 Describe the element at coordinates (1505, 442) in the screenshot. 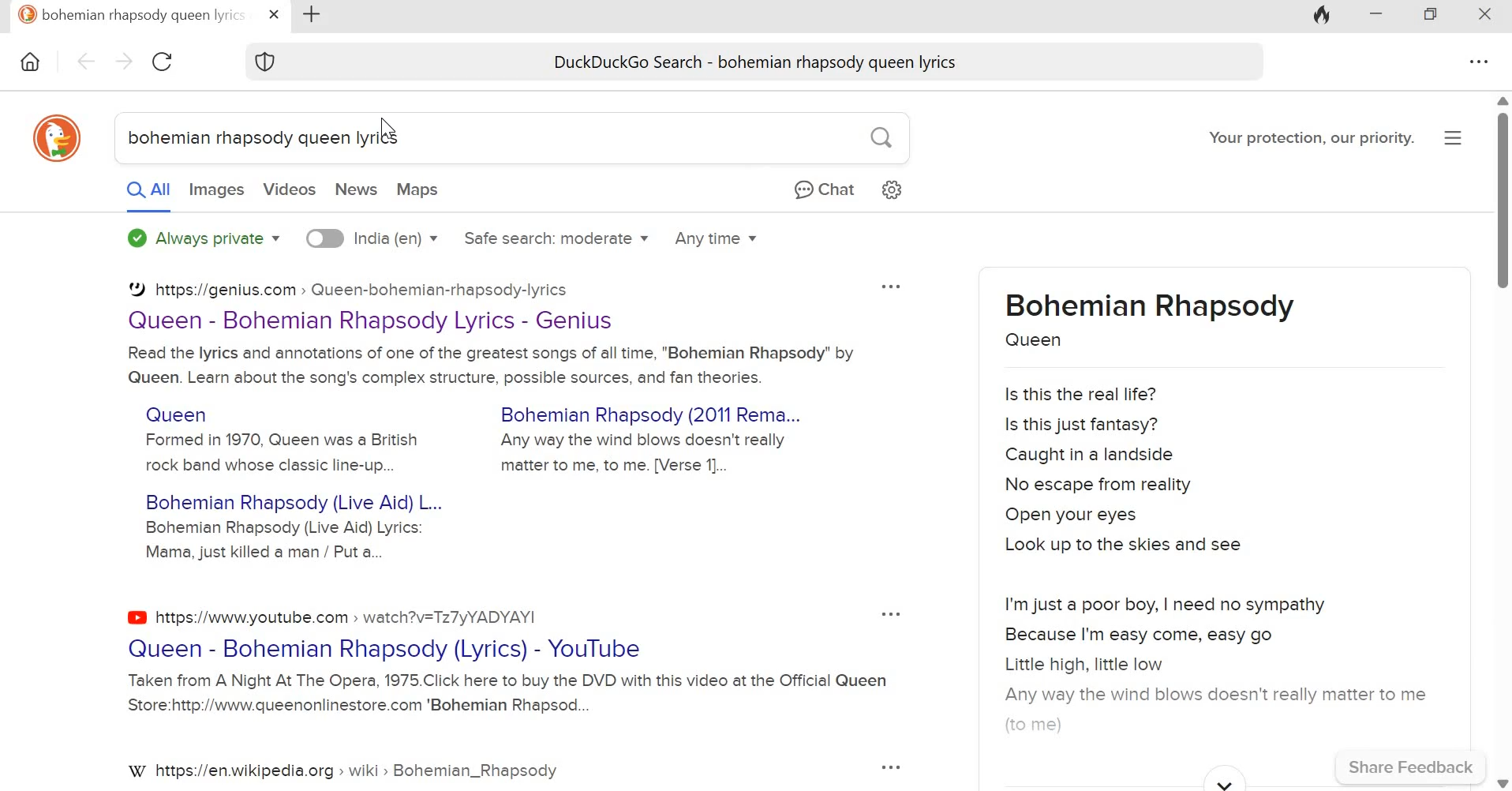

I see `Scroll bar` at that location.